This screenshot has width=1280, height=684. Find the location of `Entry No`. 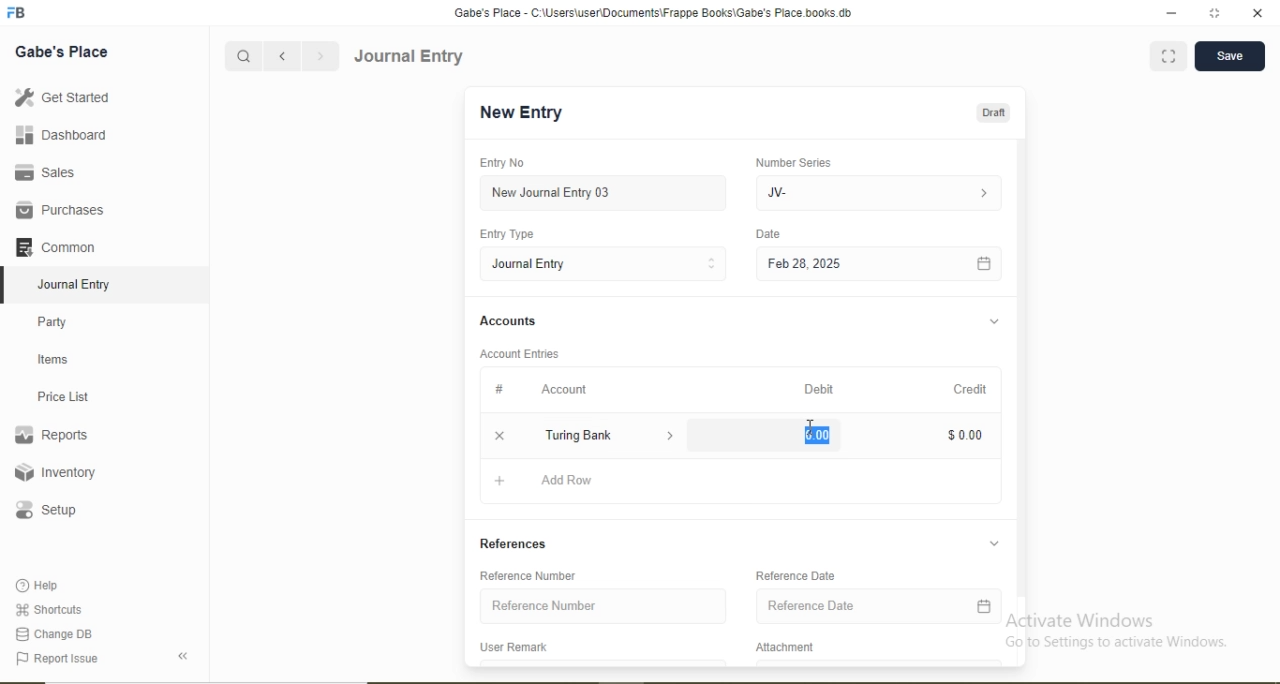

Entry No is located at coordinates (501, 162).